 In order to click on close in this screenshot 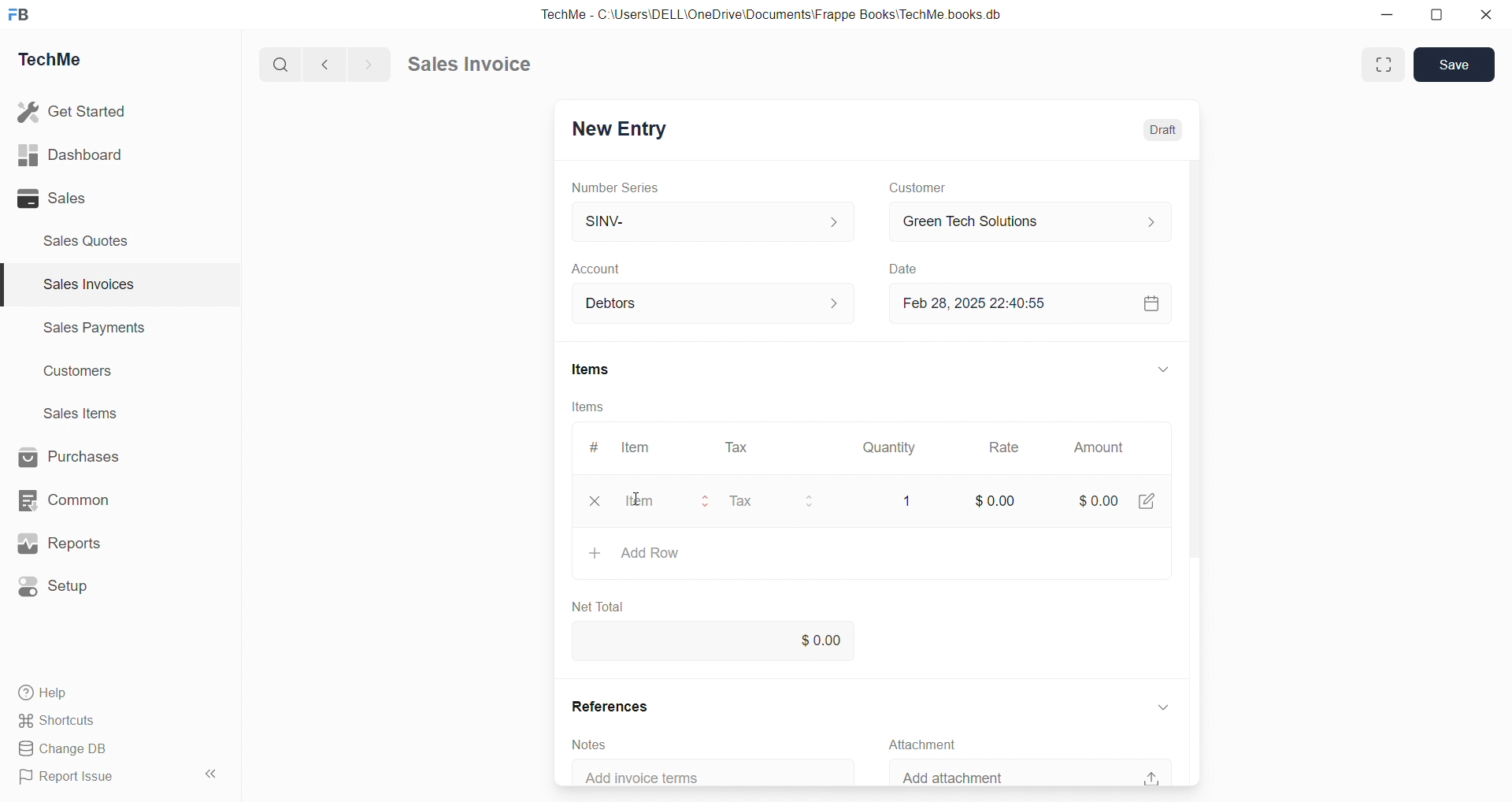, I will do `click(1487, 14)`.